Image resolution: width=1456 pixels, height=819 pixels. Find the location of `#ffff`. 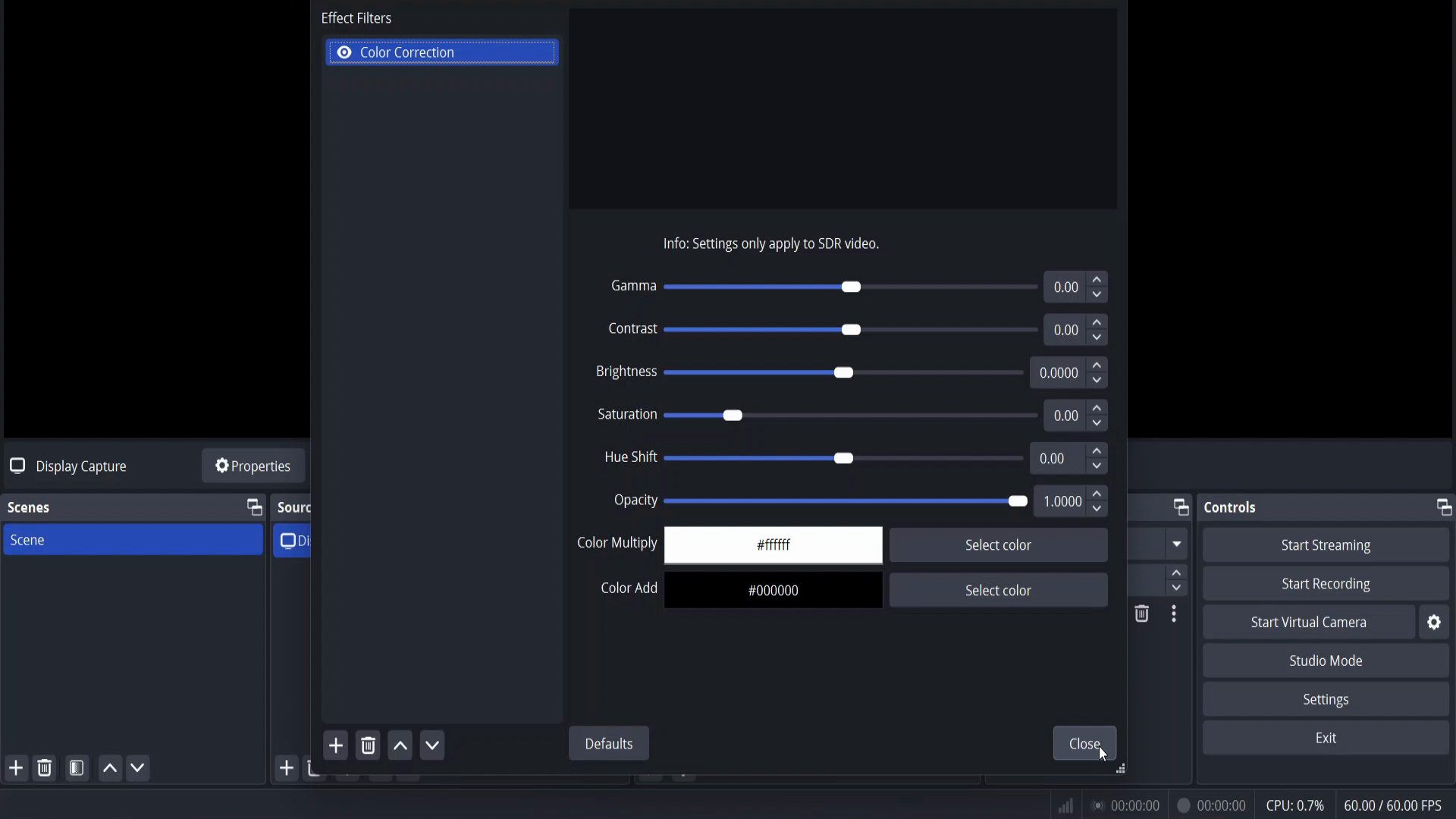

#ffff is located at coordinates (775, 544).